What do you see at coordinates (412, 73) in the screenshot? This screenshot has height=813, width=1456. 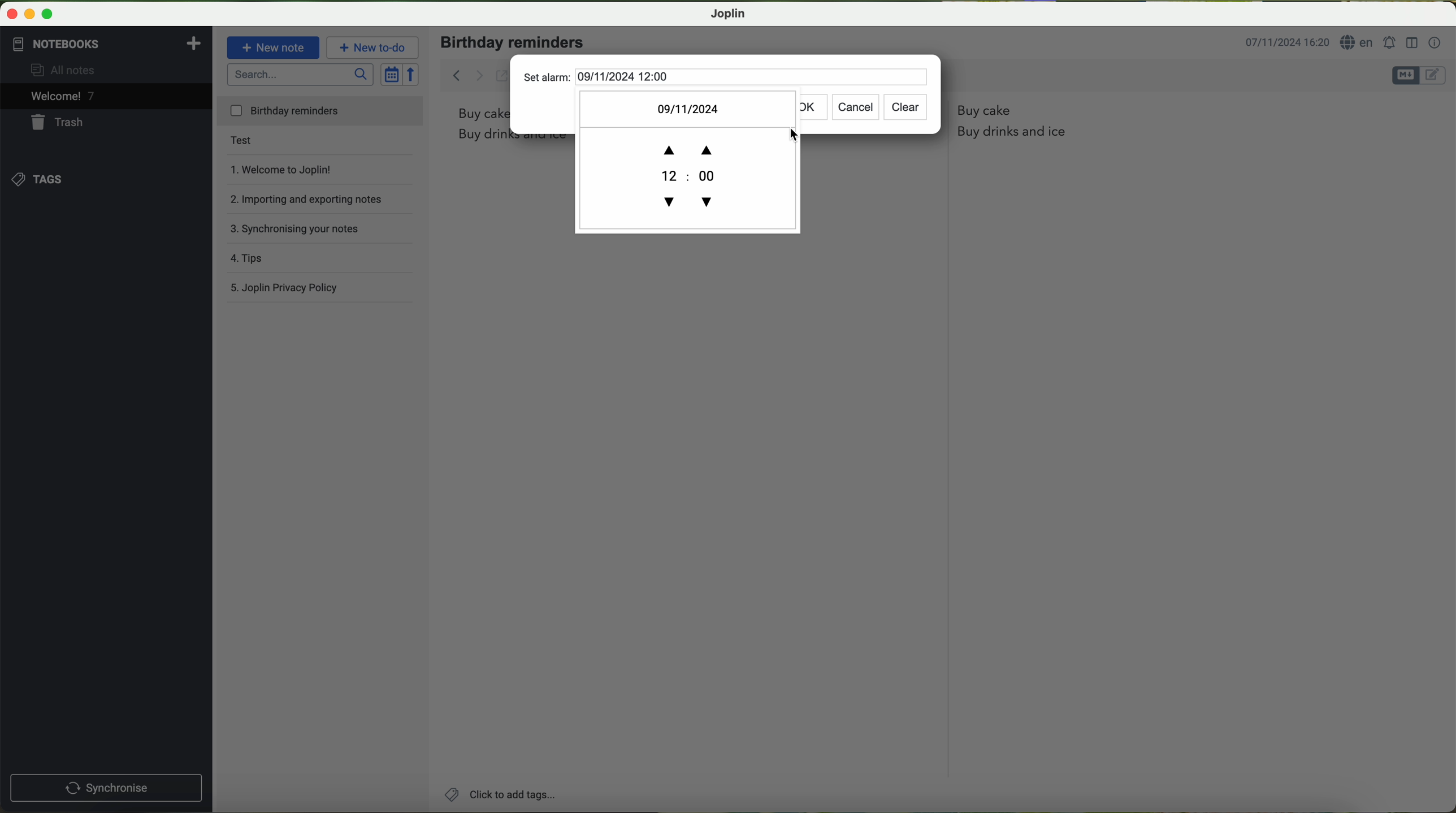 I see `reverse sort order` at bounding box center [412, 73].